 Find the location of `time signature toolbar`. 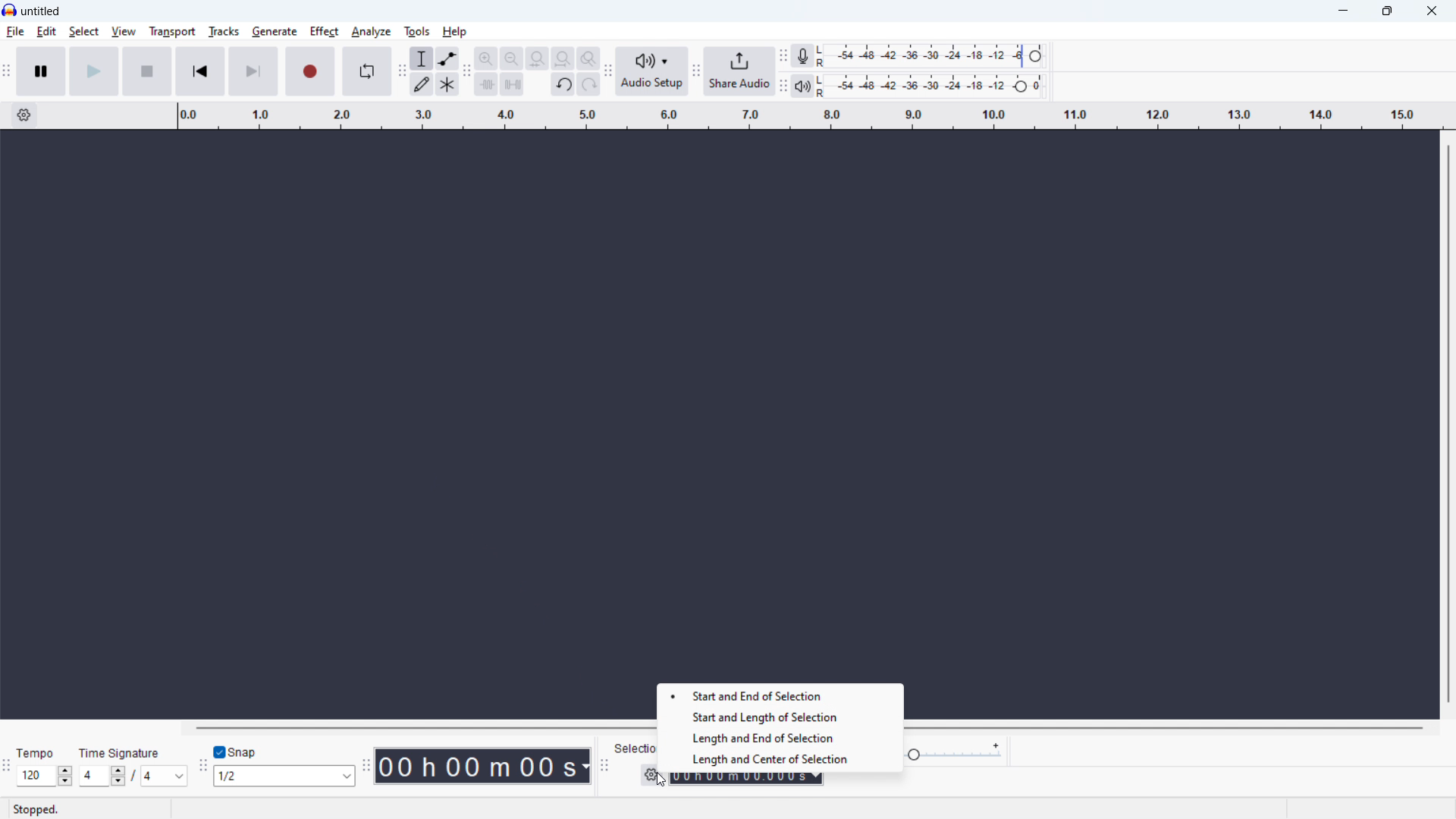

time signature toolbar is located at coordinates (8, 769).